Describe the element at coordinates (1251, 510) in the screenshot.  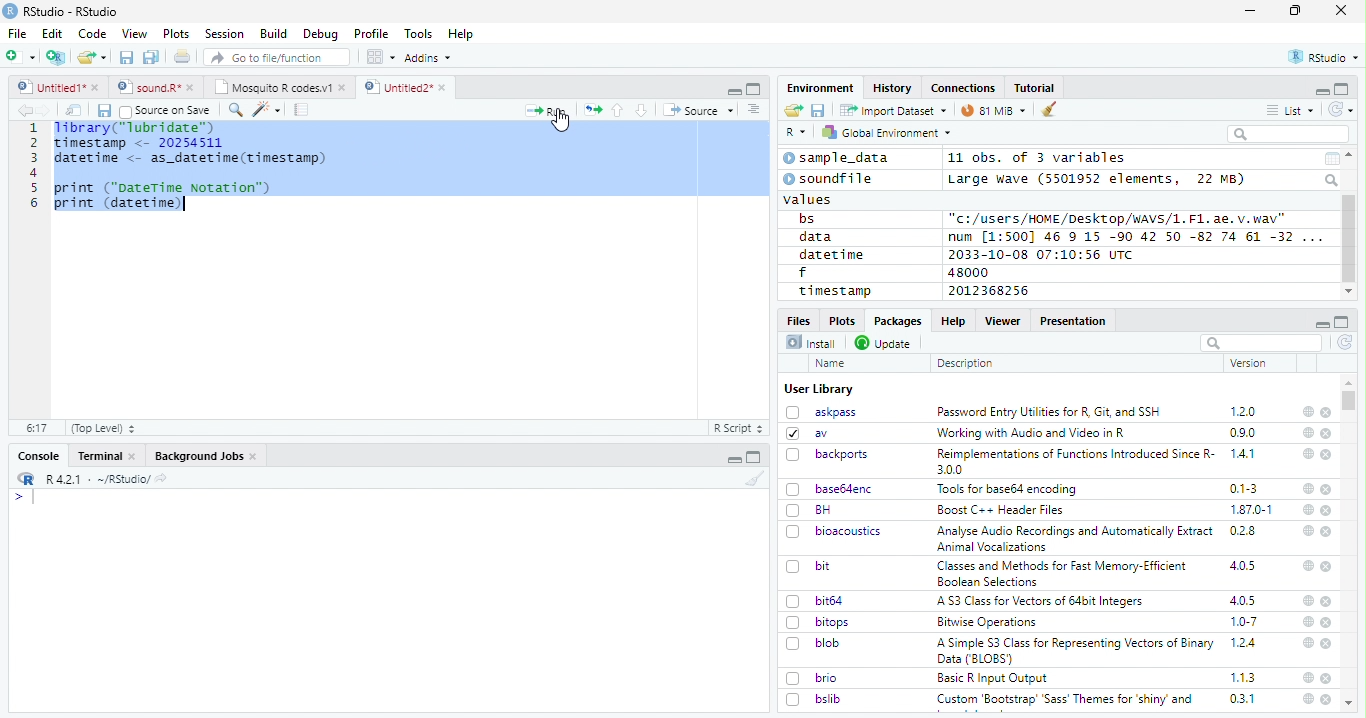
I see `1.87.0-1` at that location.